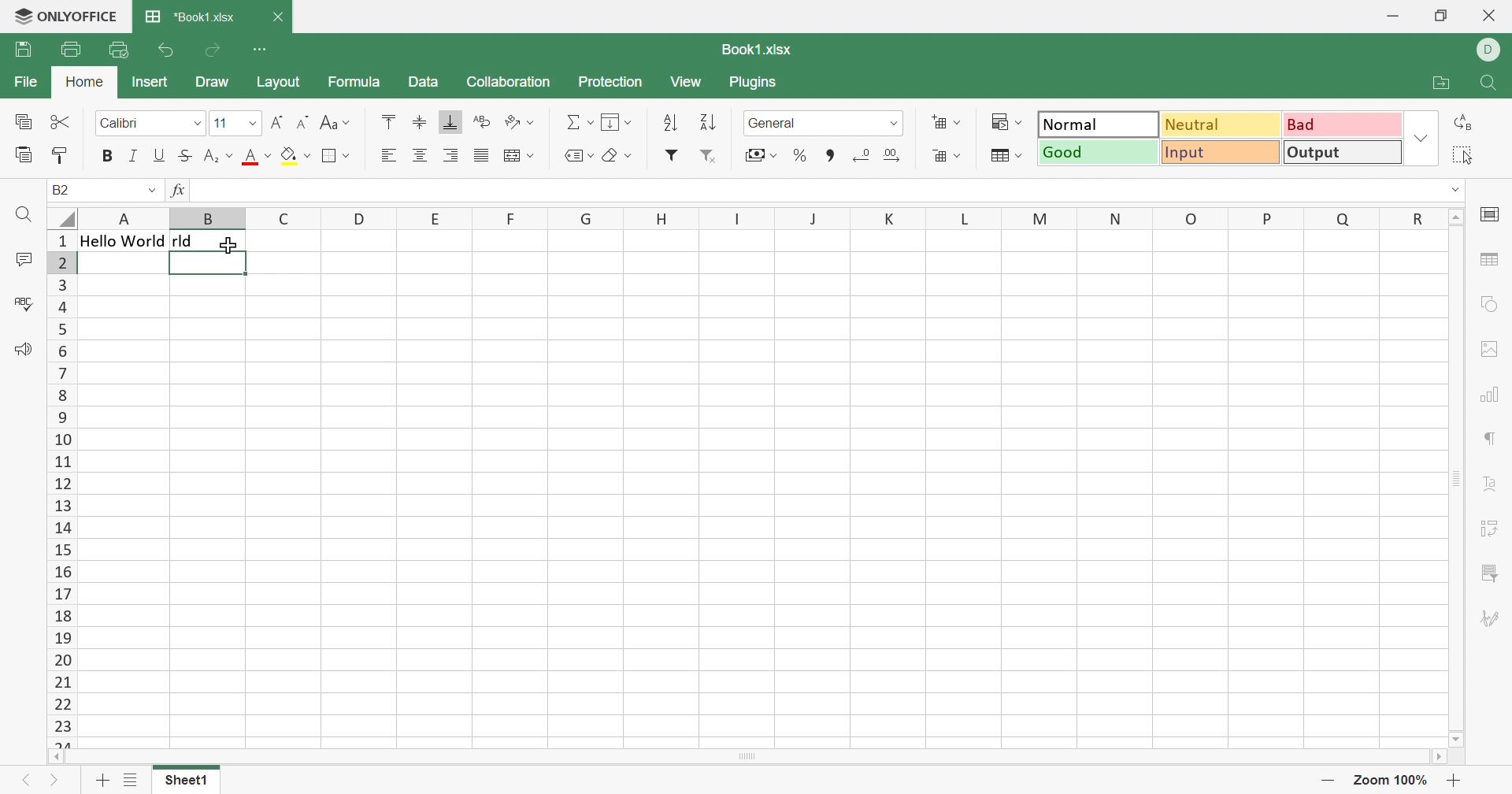 This screenshot has height=794, width=1512. I want to click on Minimize, so click(1392, 15).